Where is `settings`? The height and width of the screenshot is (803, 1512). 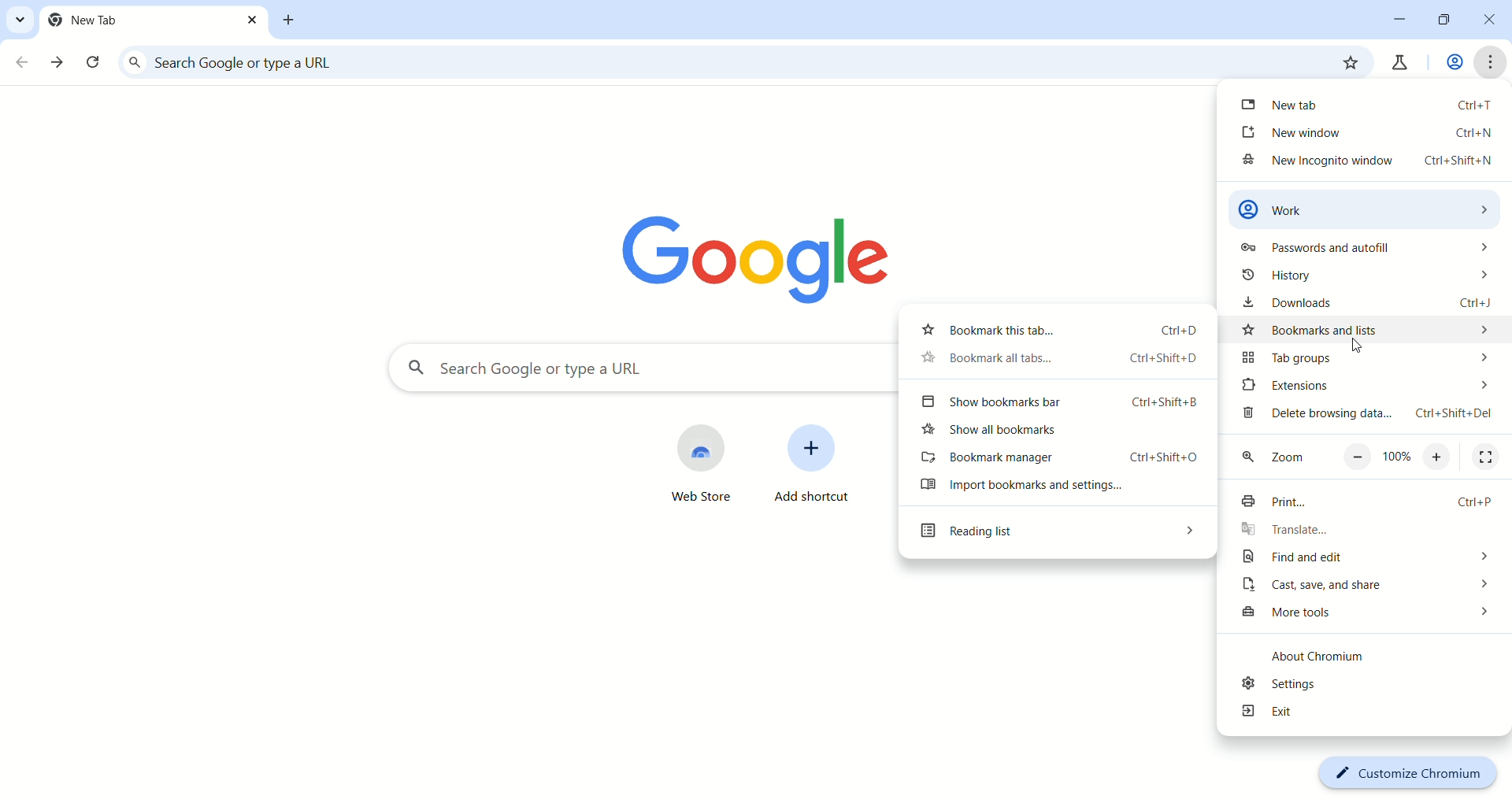
settings is located at coordinates (1360, 685).